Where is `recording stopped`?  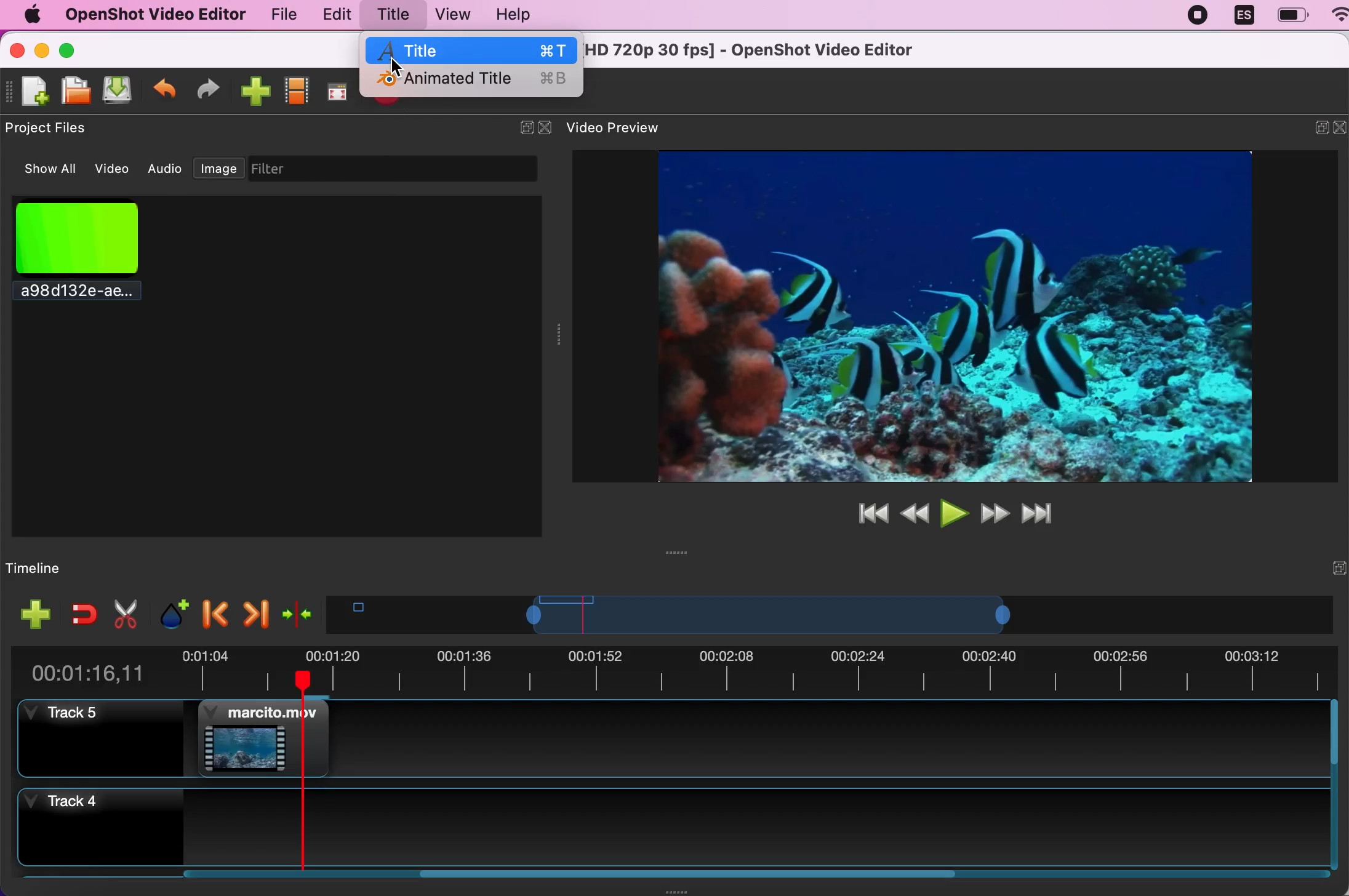 recording stopped is located at coordinates (1199, 18).